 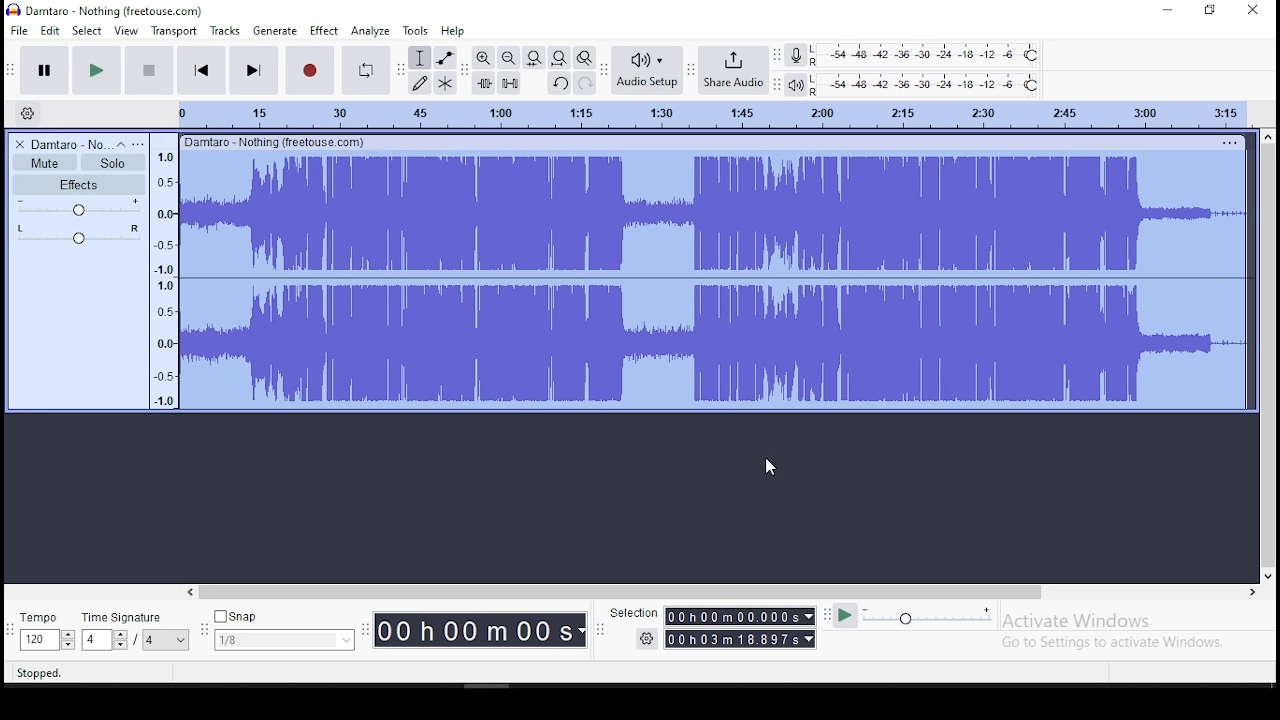 I want to click on record meter, so click(x=796, y=54).